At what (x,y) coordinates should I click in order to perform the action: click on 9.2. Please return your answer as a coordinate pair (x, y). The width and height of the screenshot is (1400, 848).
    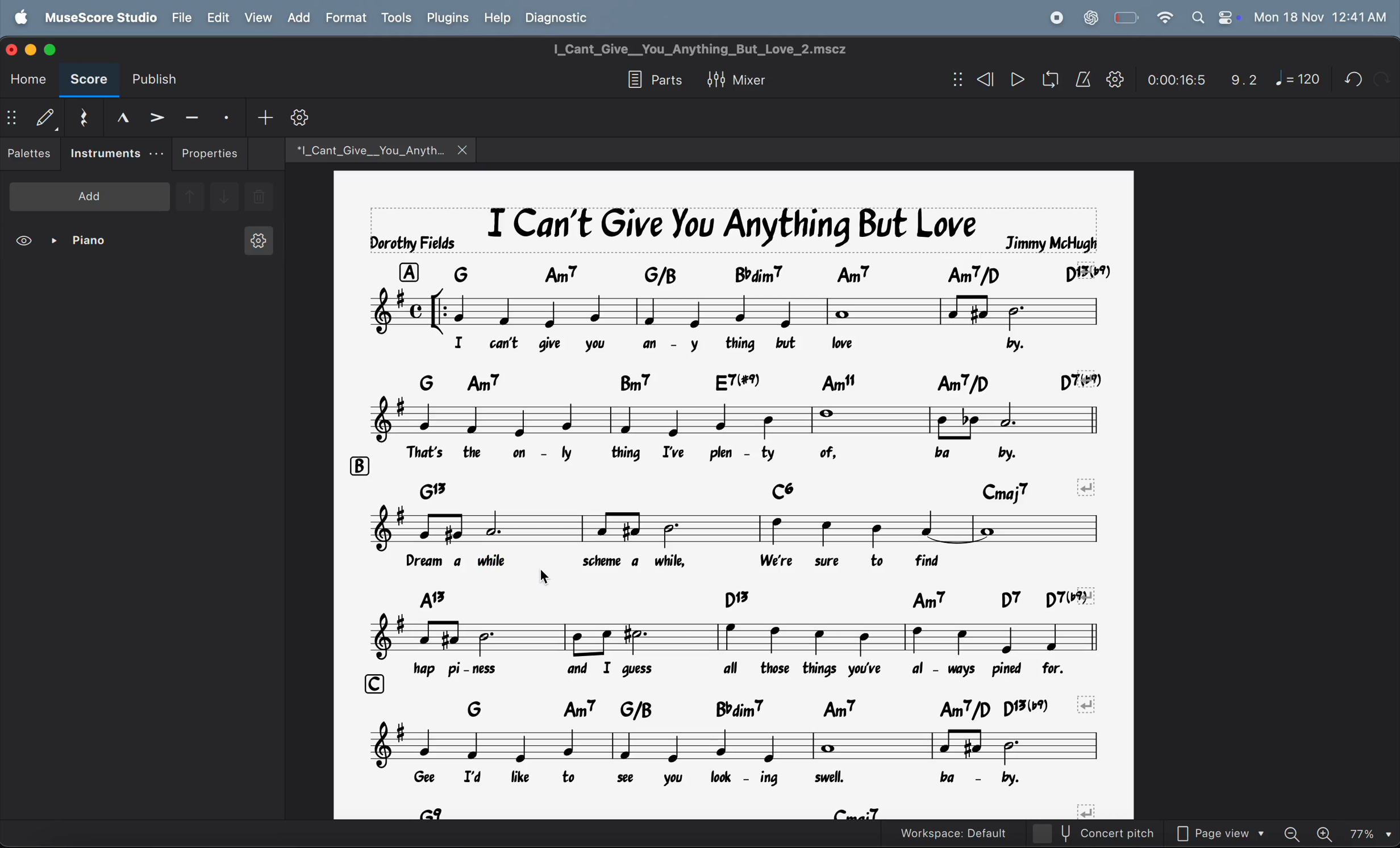
    Looking at the image, I should click on (1239, 80).